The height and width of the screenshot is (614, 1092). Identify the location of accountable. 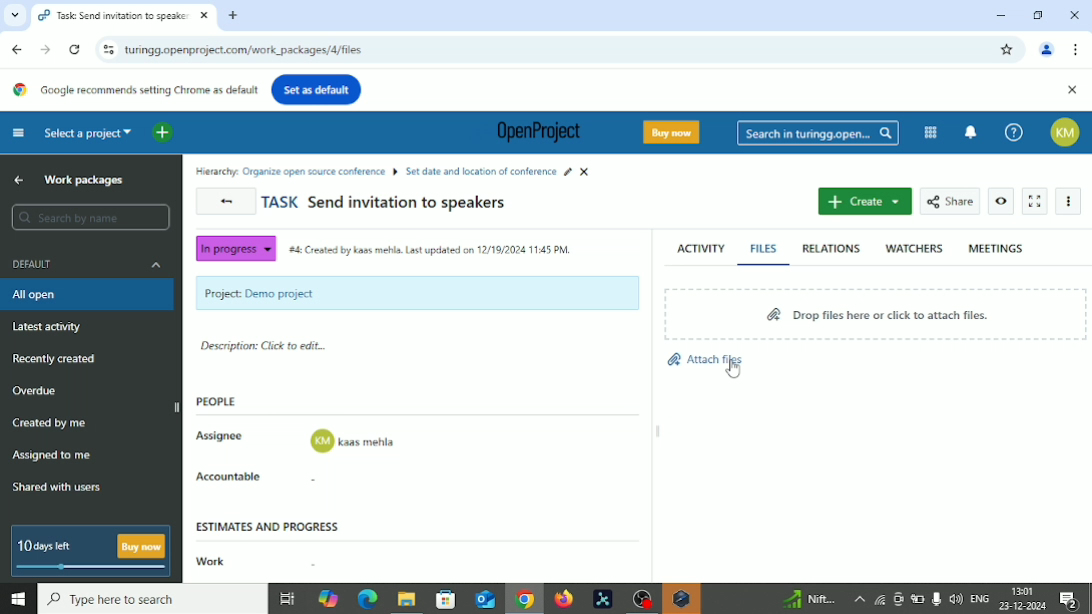
(354, 481).